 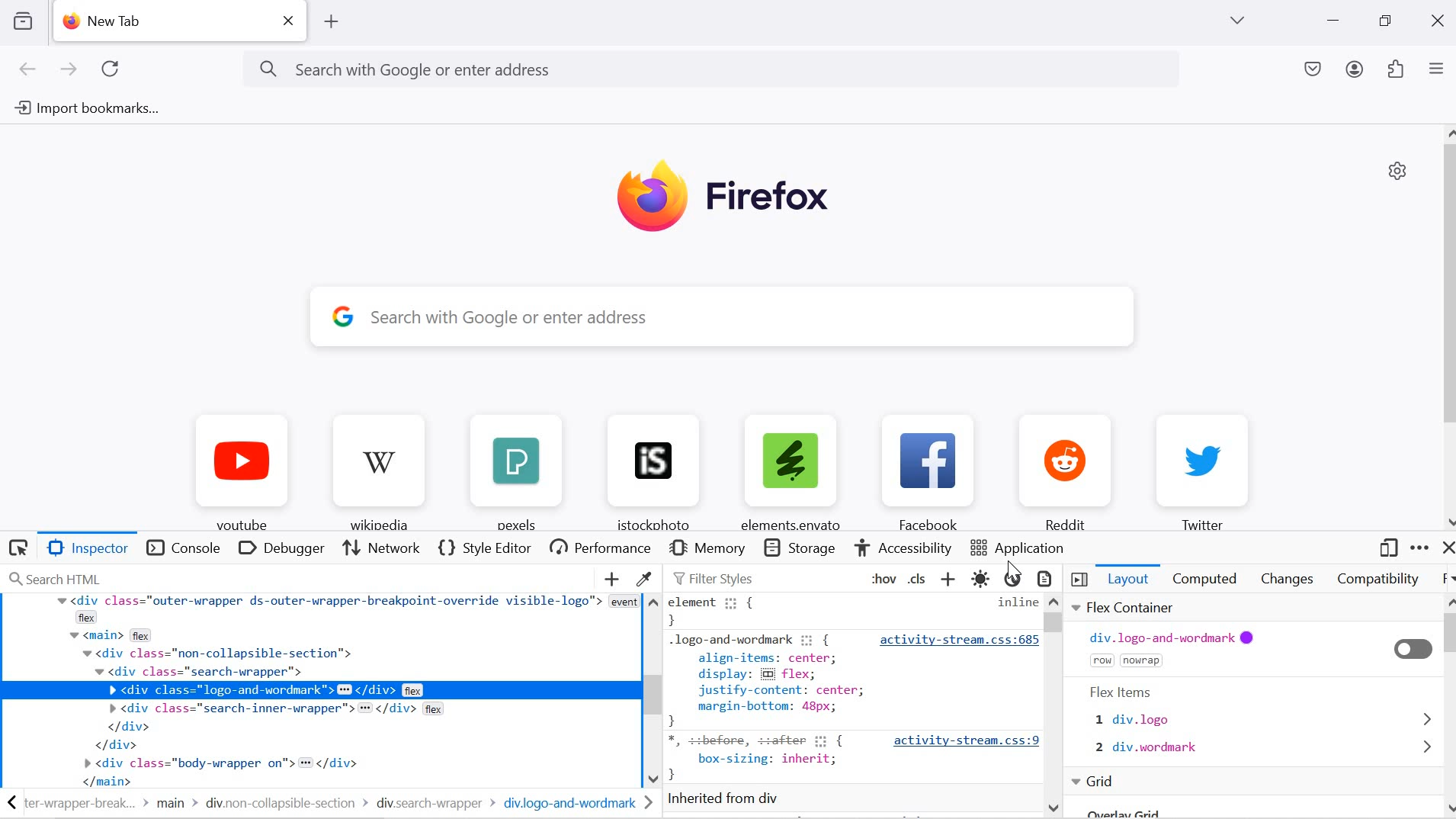 I want to click on Flex Items, so click(x=1121, y=692).